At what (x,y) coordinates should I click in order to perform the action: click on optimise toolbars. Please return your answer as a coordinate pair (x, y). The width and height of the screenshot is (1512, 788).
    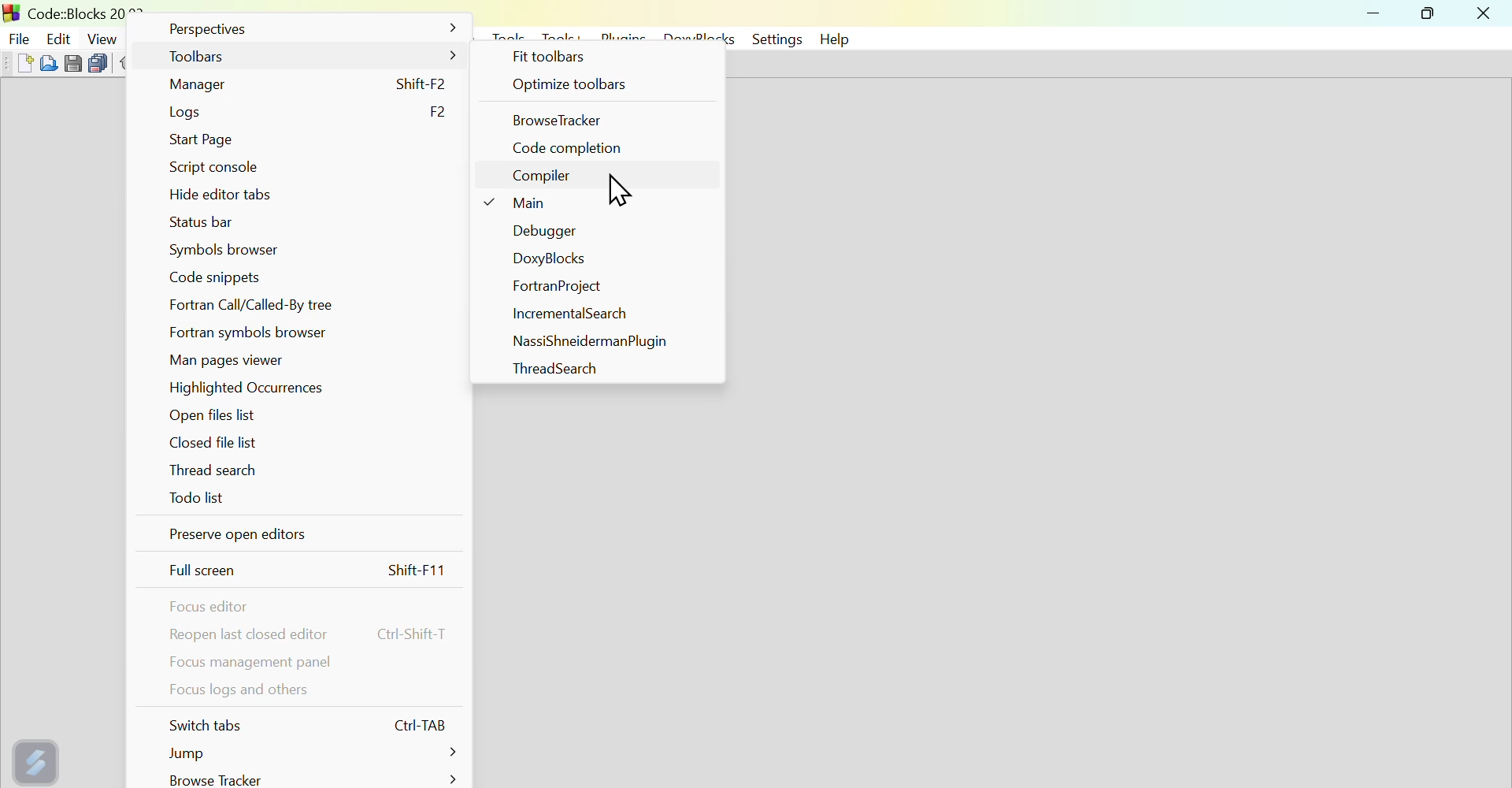
    Looking at the image, I should click on (598, 87).